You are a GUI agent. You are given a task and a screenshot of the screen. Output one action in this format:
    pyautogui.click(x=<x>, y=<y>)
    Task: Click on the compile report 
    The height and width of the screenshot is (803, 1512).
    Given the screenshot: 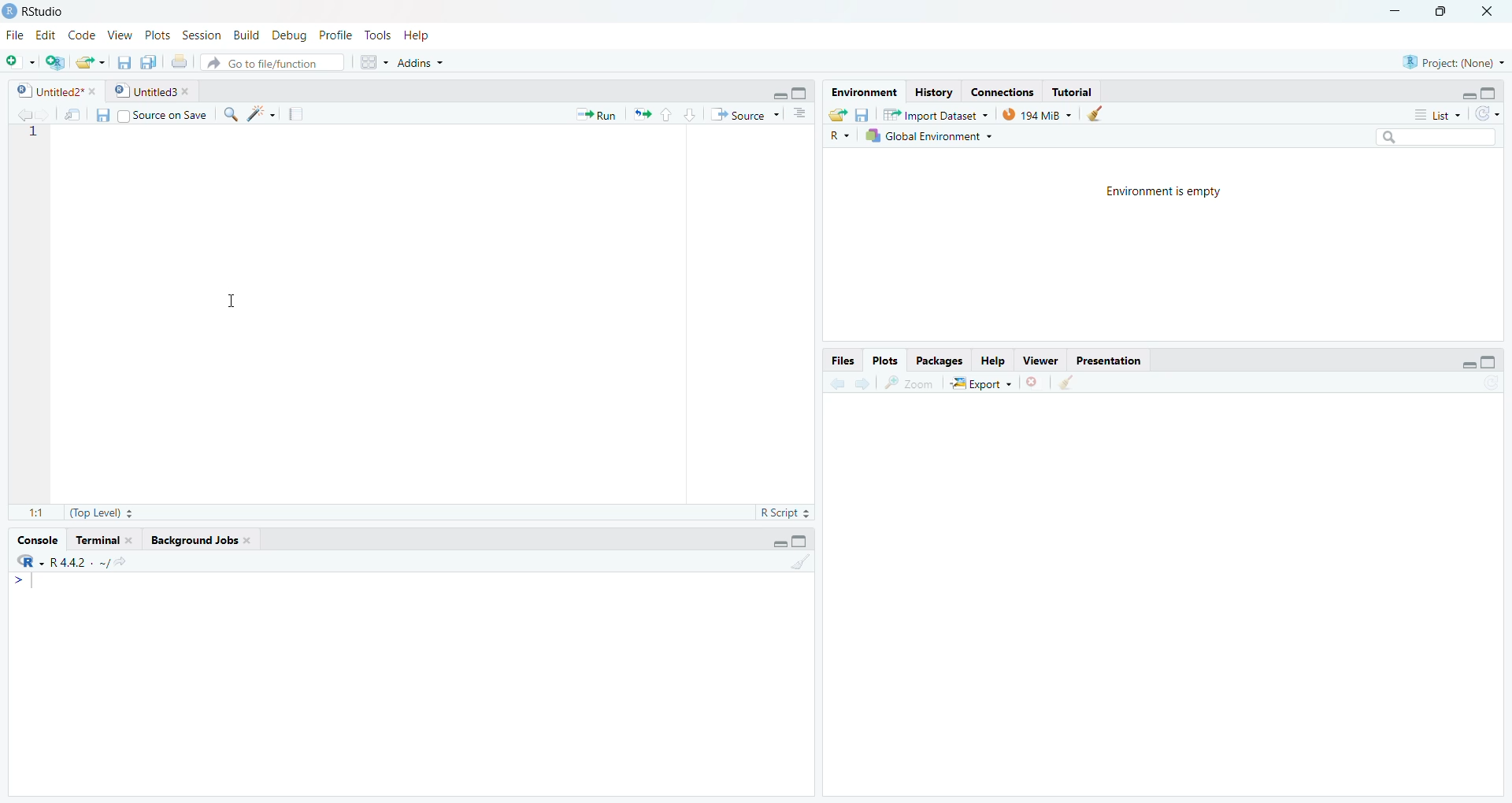 What is the action you would take?
    pyautogui.click(x=300, y=114)
    